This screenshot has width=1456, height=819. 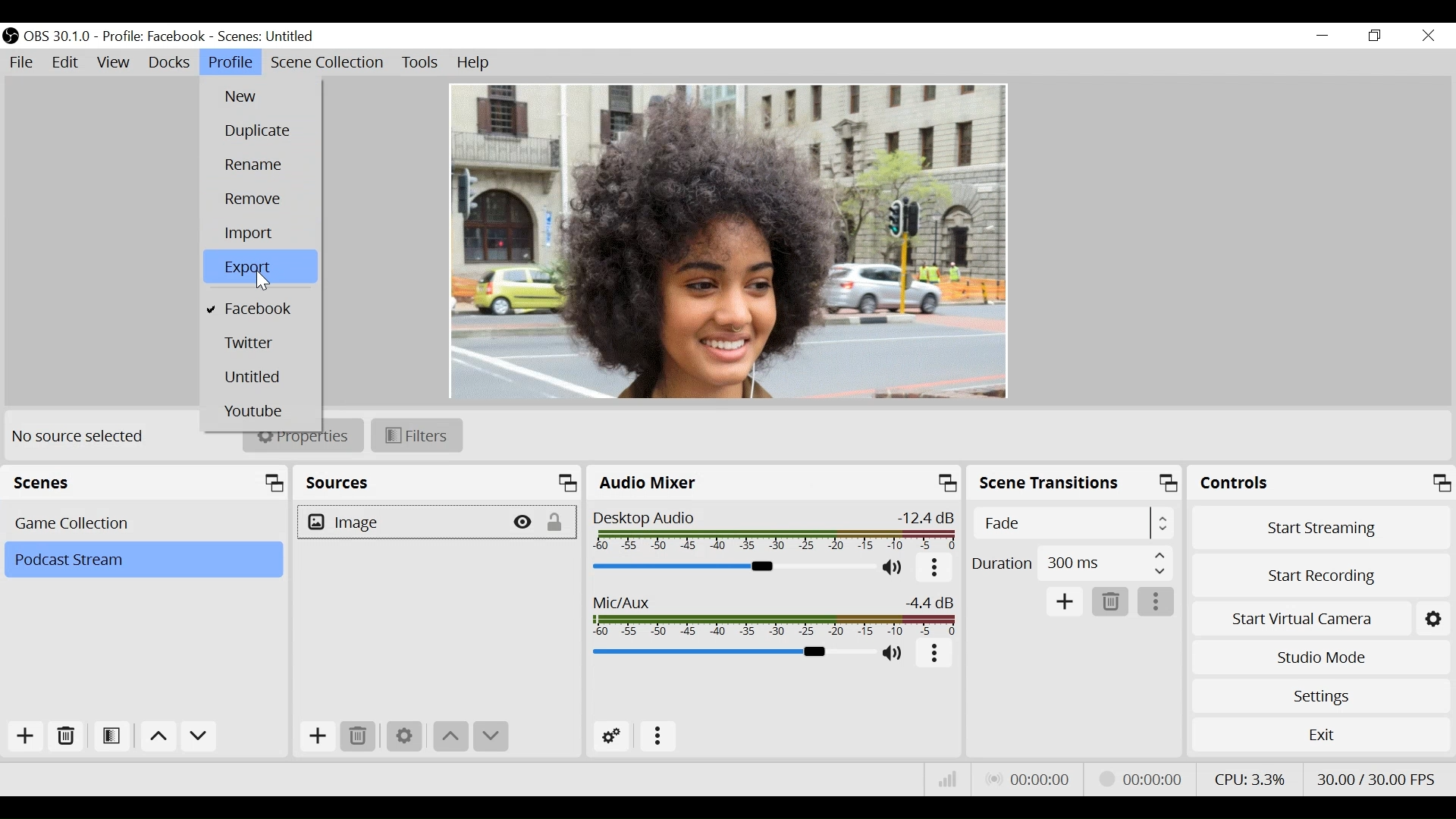 I want to click on Tools, so click(x=421, y=63).